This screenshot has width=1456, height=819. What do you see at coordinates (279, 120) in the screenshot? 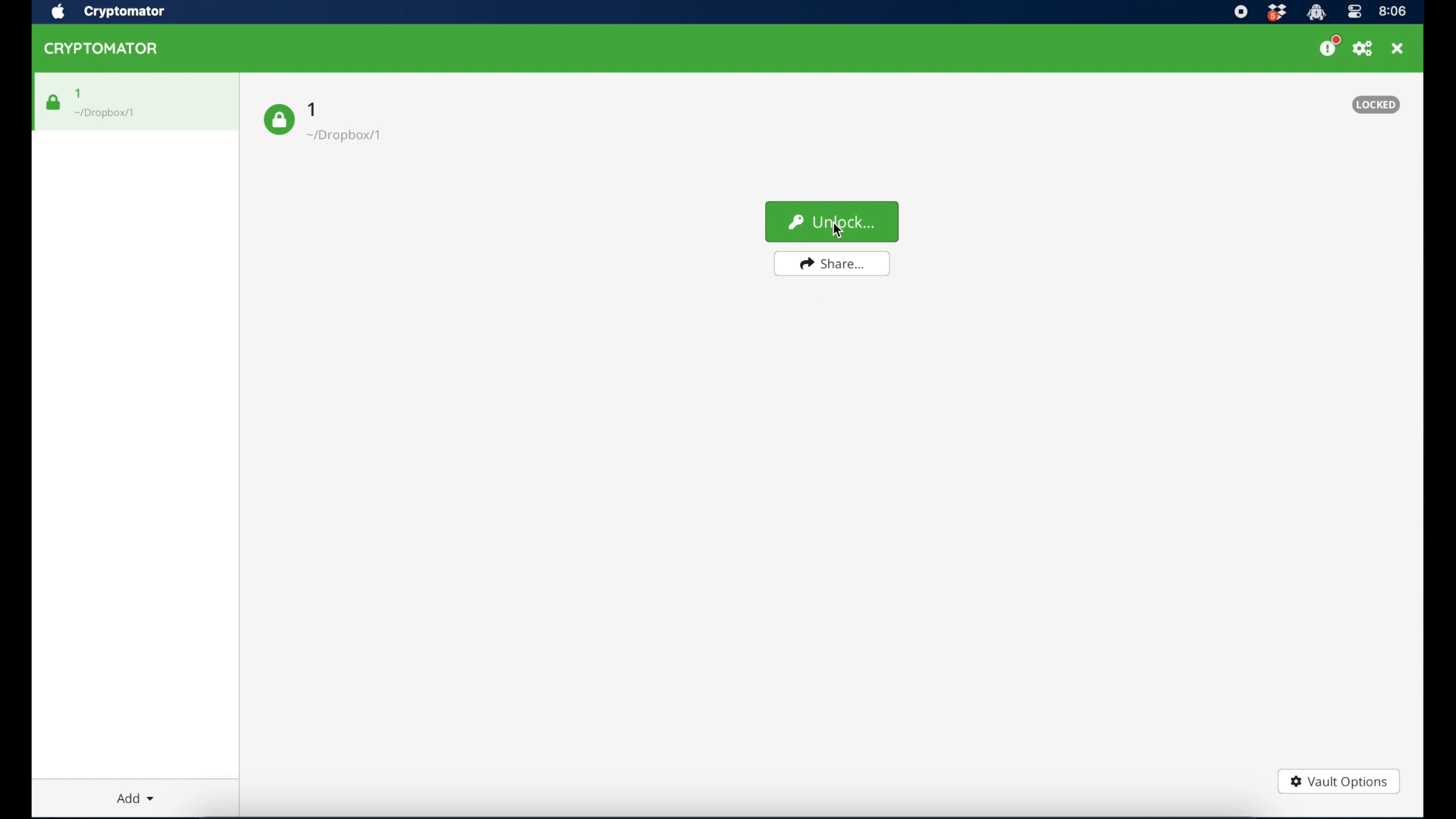
I see `vault icon` at bounding box center [279, 120].